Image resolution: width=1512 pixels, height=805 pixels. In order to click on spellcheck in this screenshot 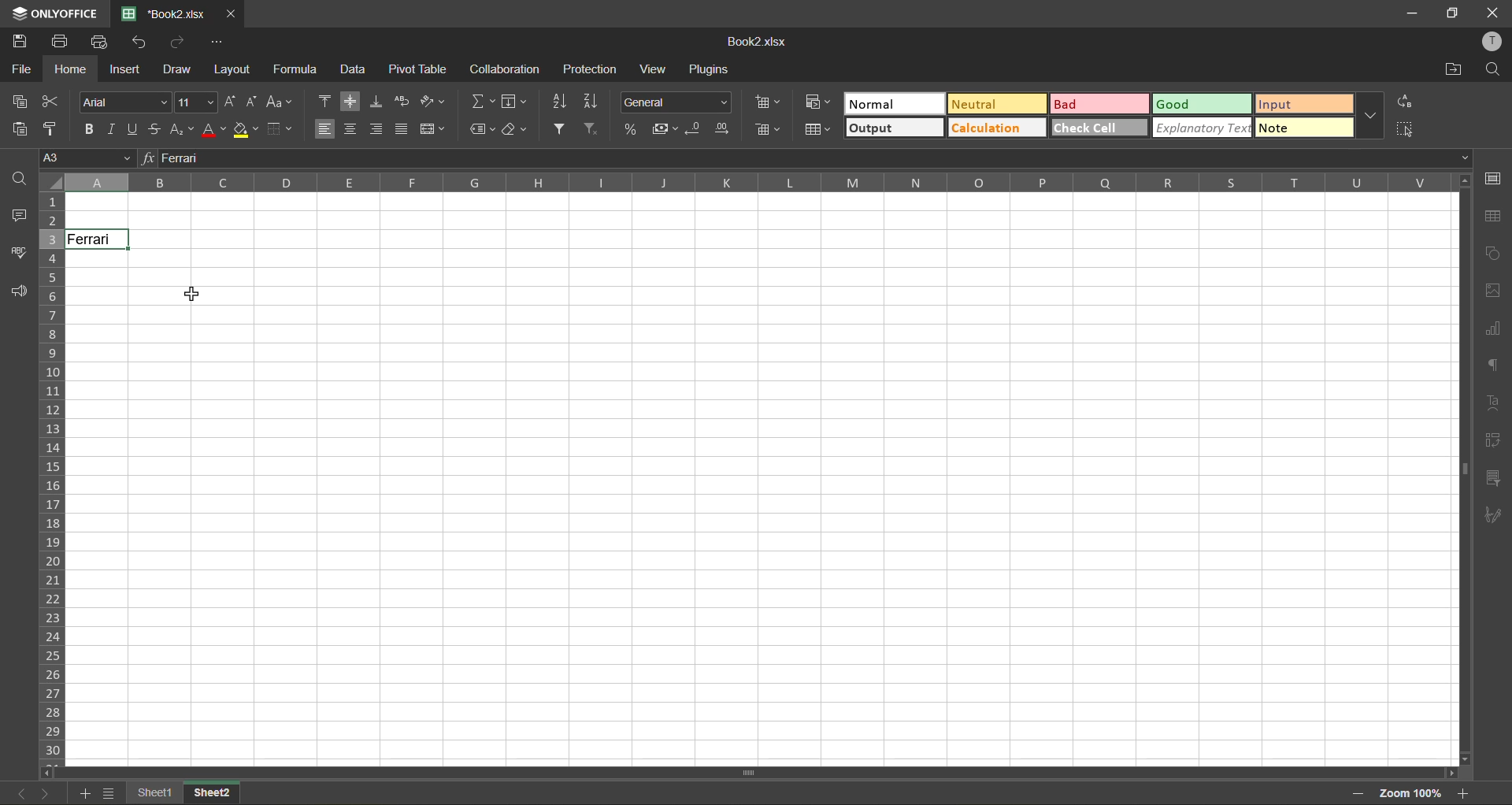, I will do `click(18, 254)`.